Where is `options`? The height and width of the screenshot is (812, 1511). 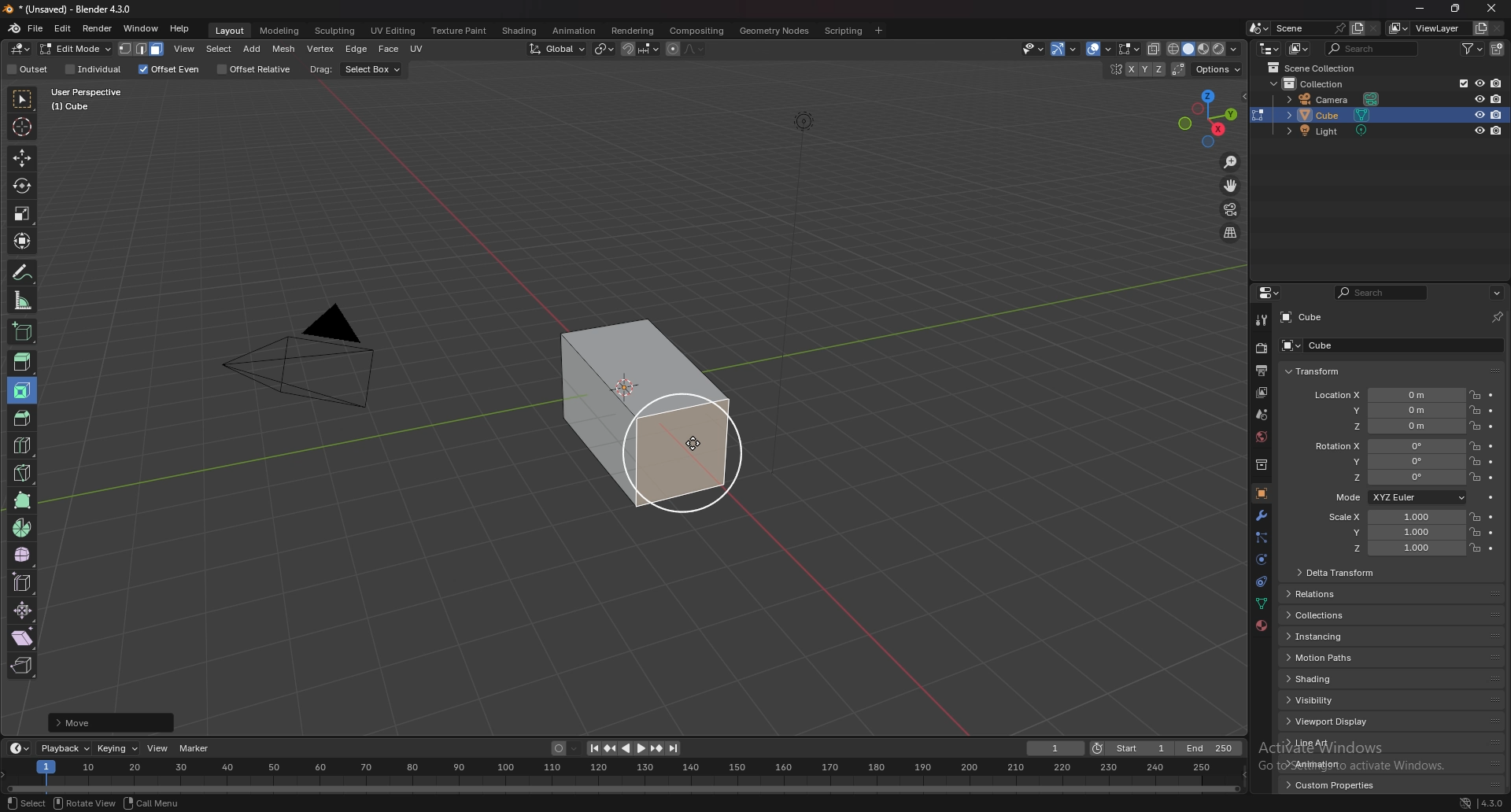
options is located at coordinates (1497, 293).